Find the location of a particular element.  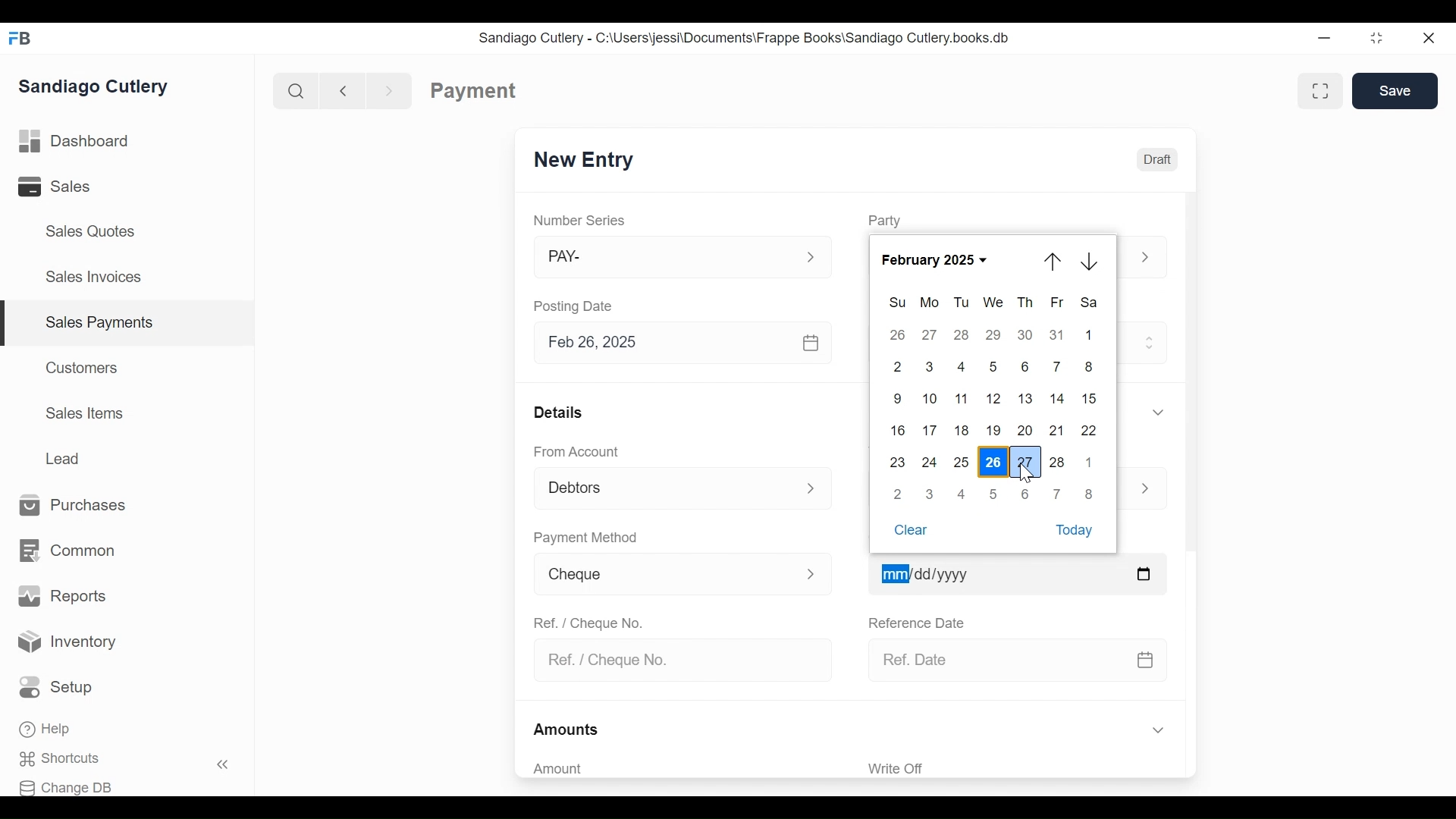

Setup is located at coordinates (60, 688).